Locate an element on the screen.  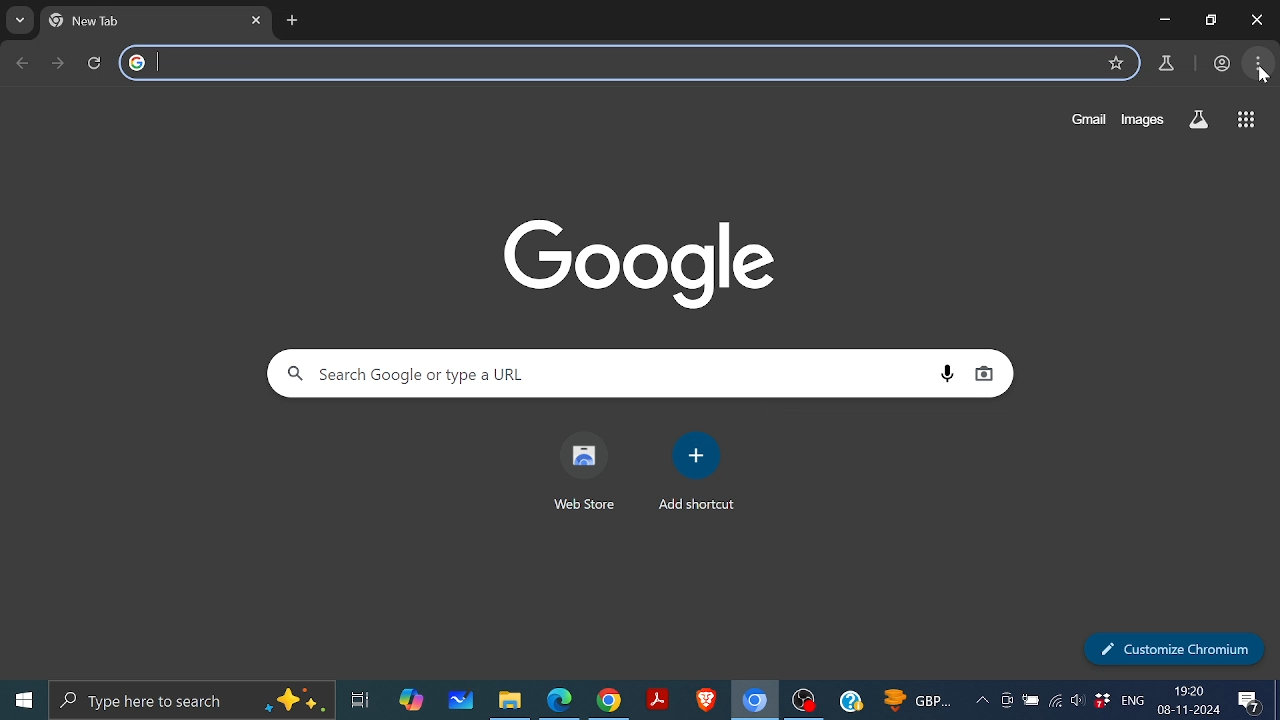
Close current tab is located at coordinates (257, 21).